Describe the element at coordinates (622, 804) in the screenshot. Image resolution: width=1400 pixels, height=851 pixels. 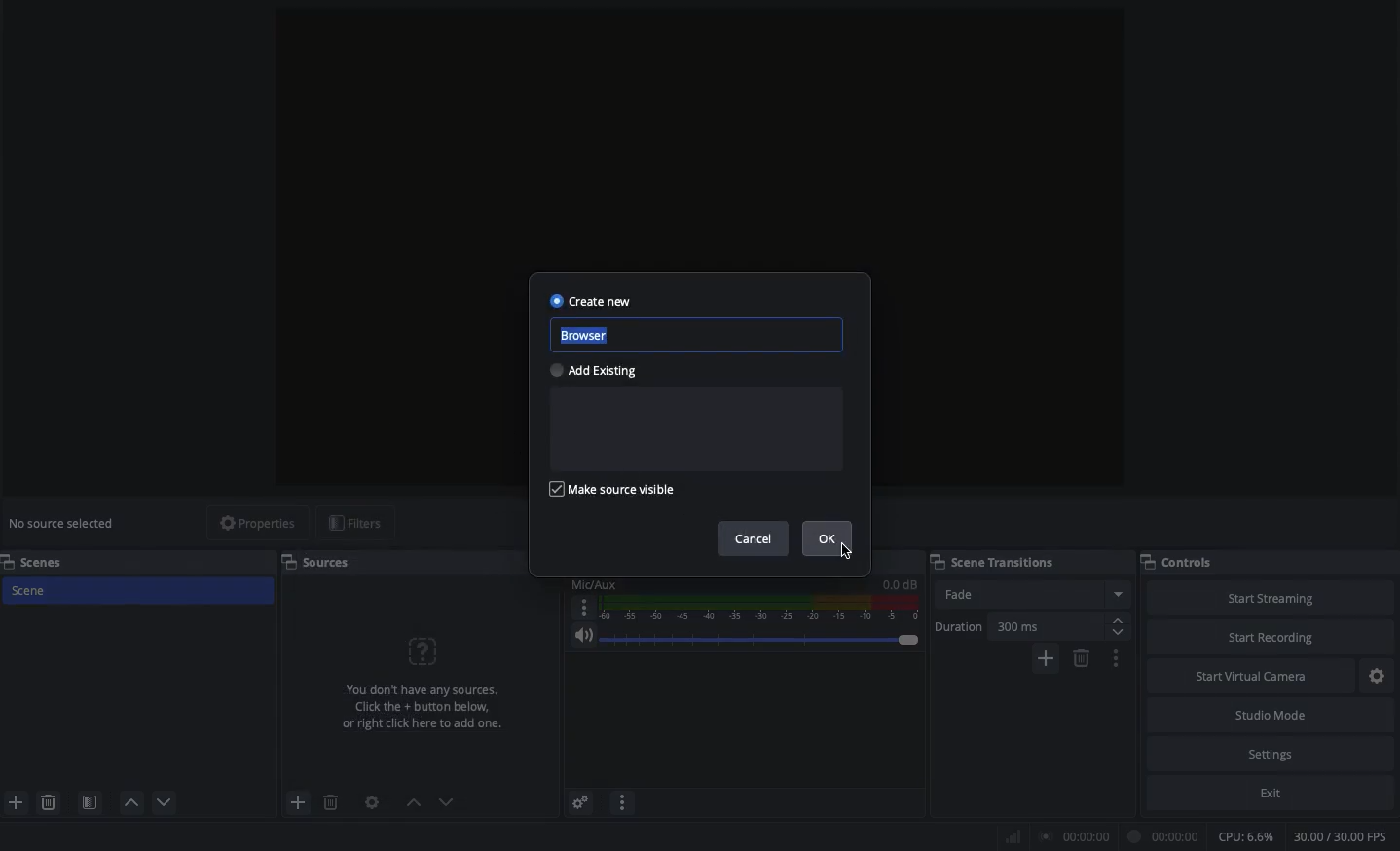
I see `options` at that location.